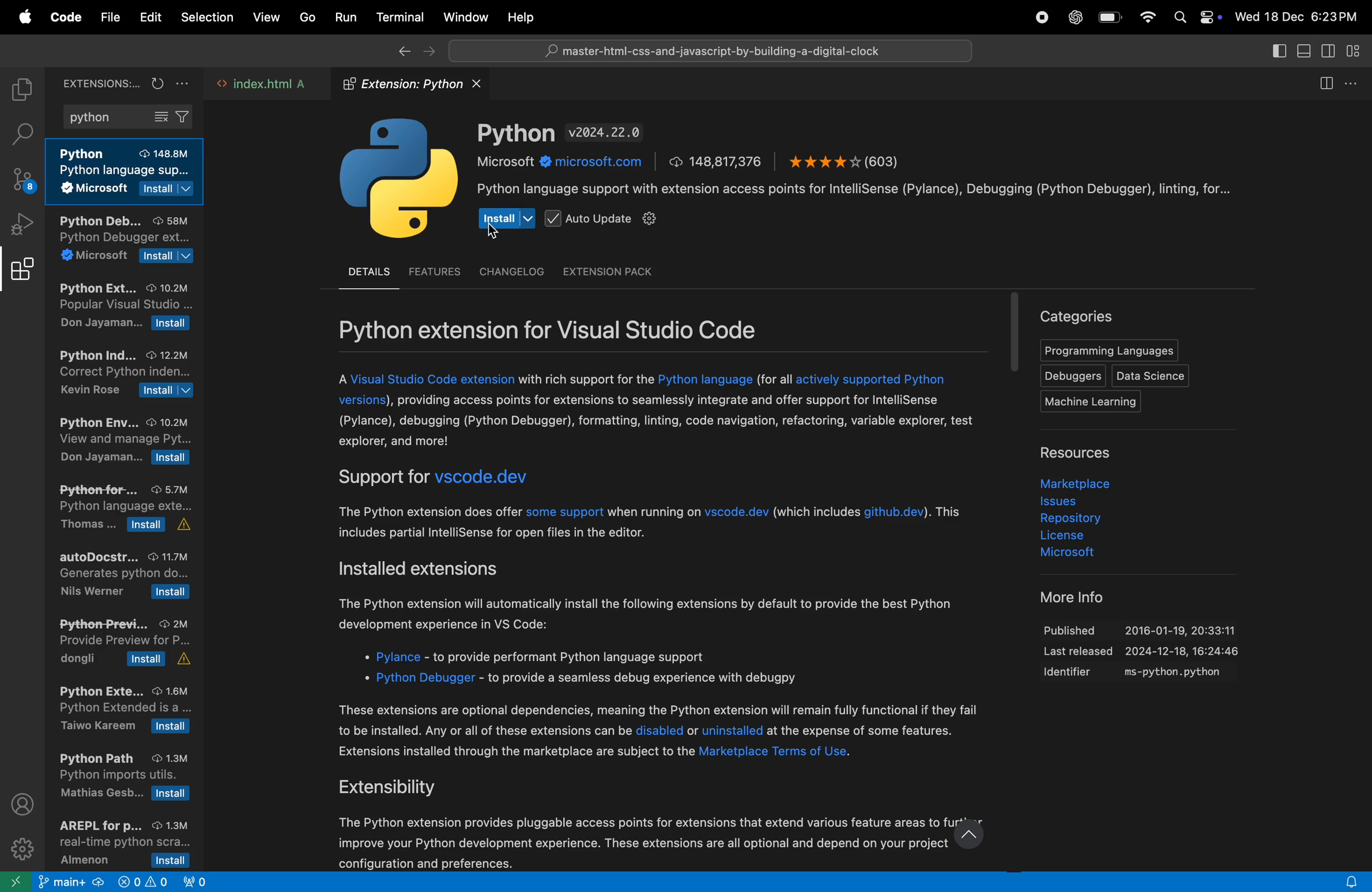  What do you see at coordinates (1096, 402) in the screenshot?
I see `machine learning` at bounding box center [1096, 402].